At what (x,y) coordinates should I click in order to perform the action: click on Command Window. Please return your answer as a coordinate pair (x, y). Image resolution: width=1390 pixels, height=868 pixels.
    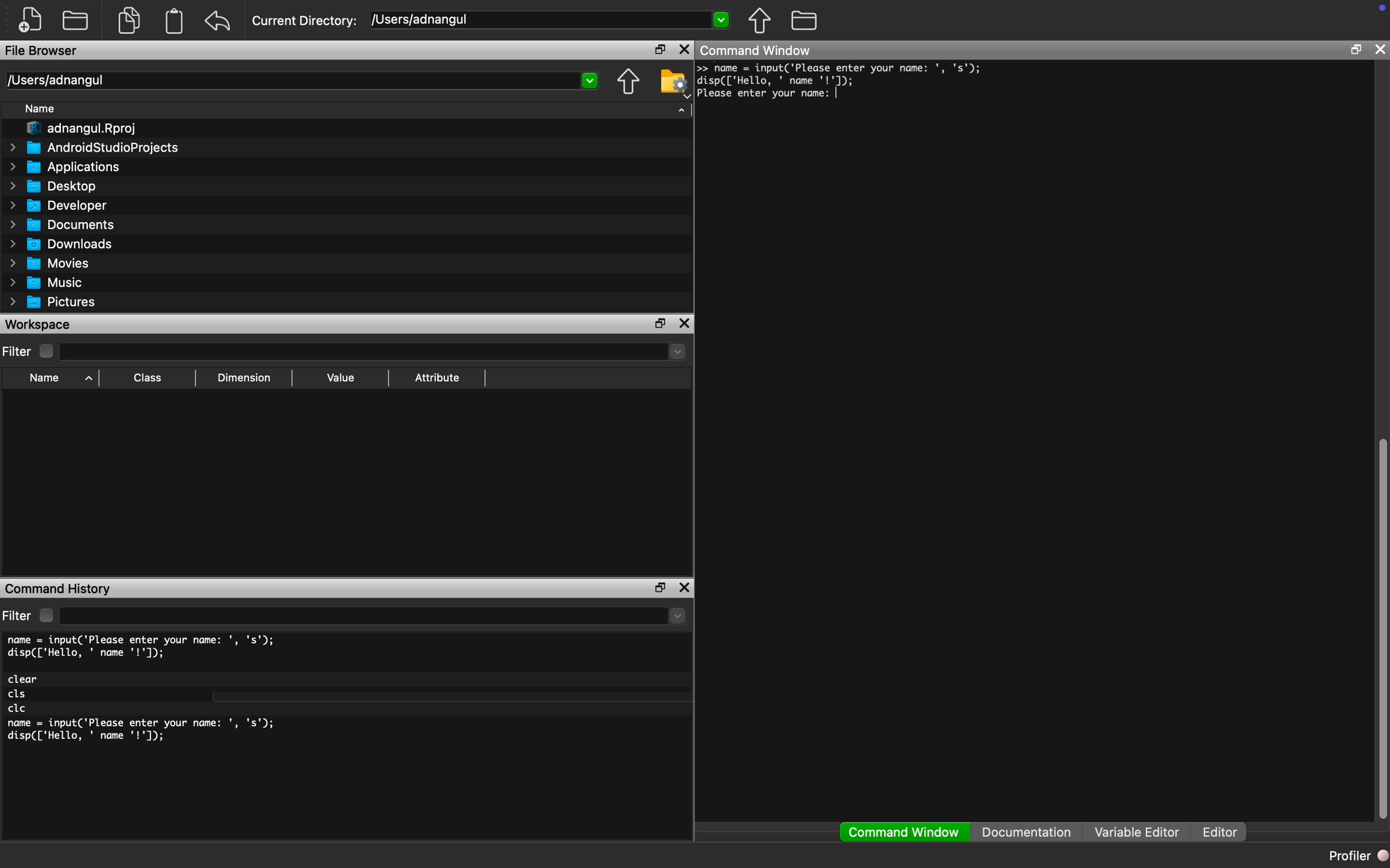
    Looking at the image, I should click on (757, 49).